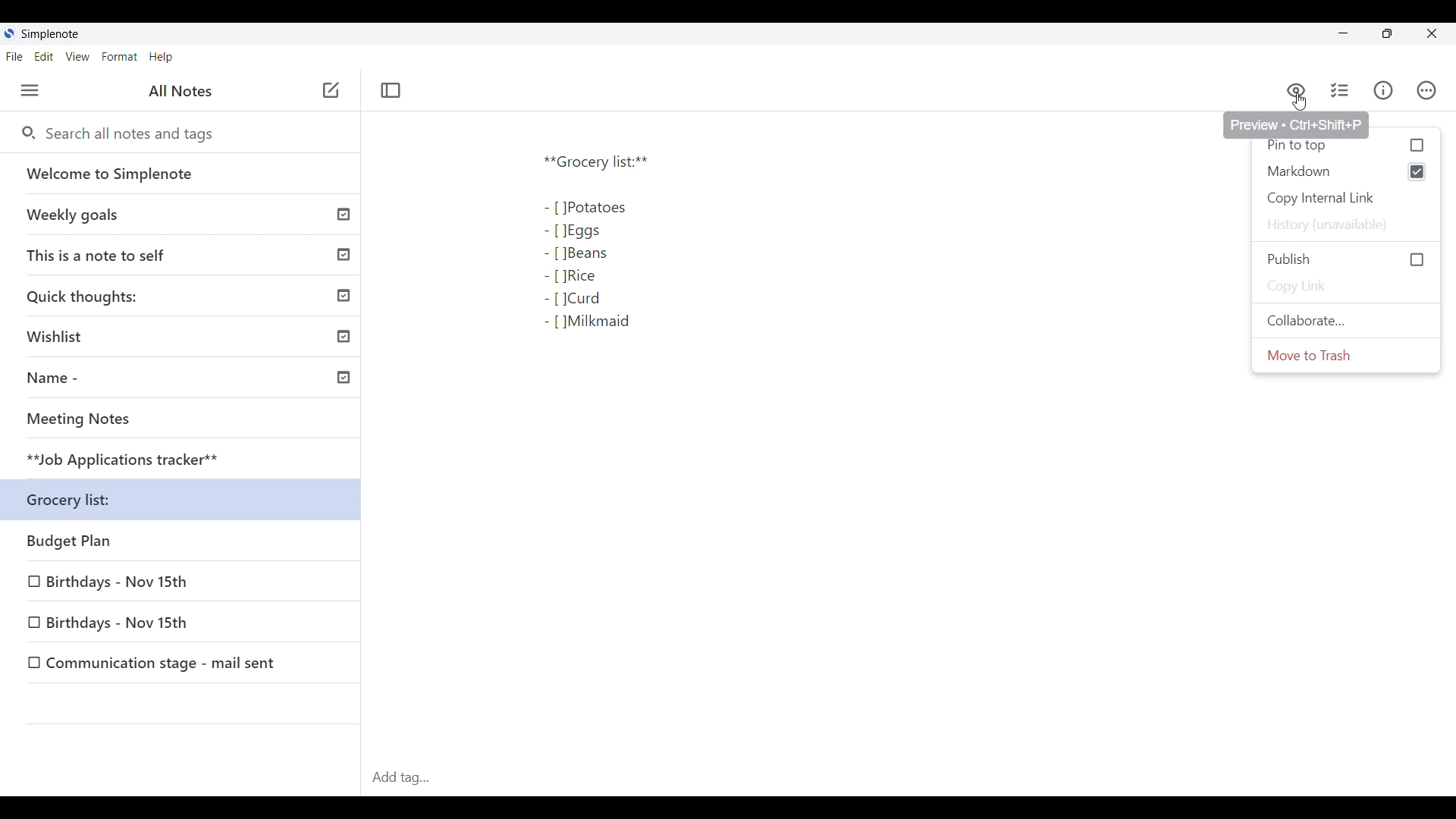 The image size is (1456, 819). What do you see at coordinates (331, 89) in the screenshot?
I see `Click to add note` at bounding box center [331, 89].